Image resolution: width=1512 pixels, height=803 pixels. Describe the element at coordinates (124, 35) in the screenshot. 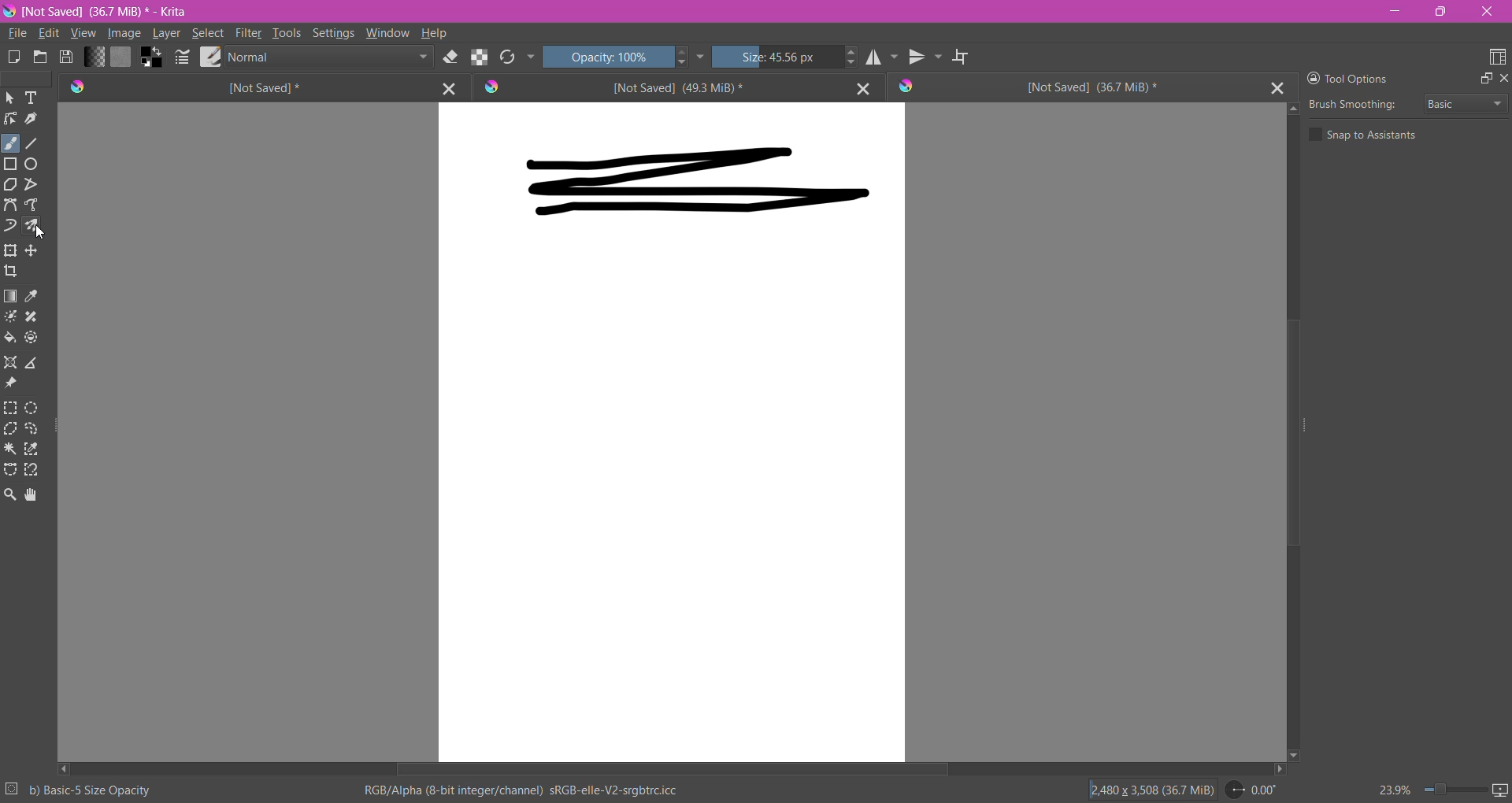

I see `Image` at that location.